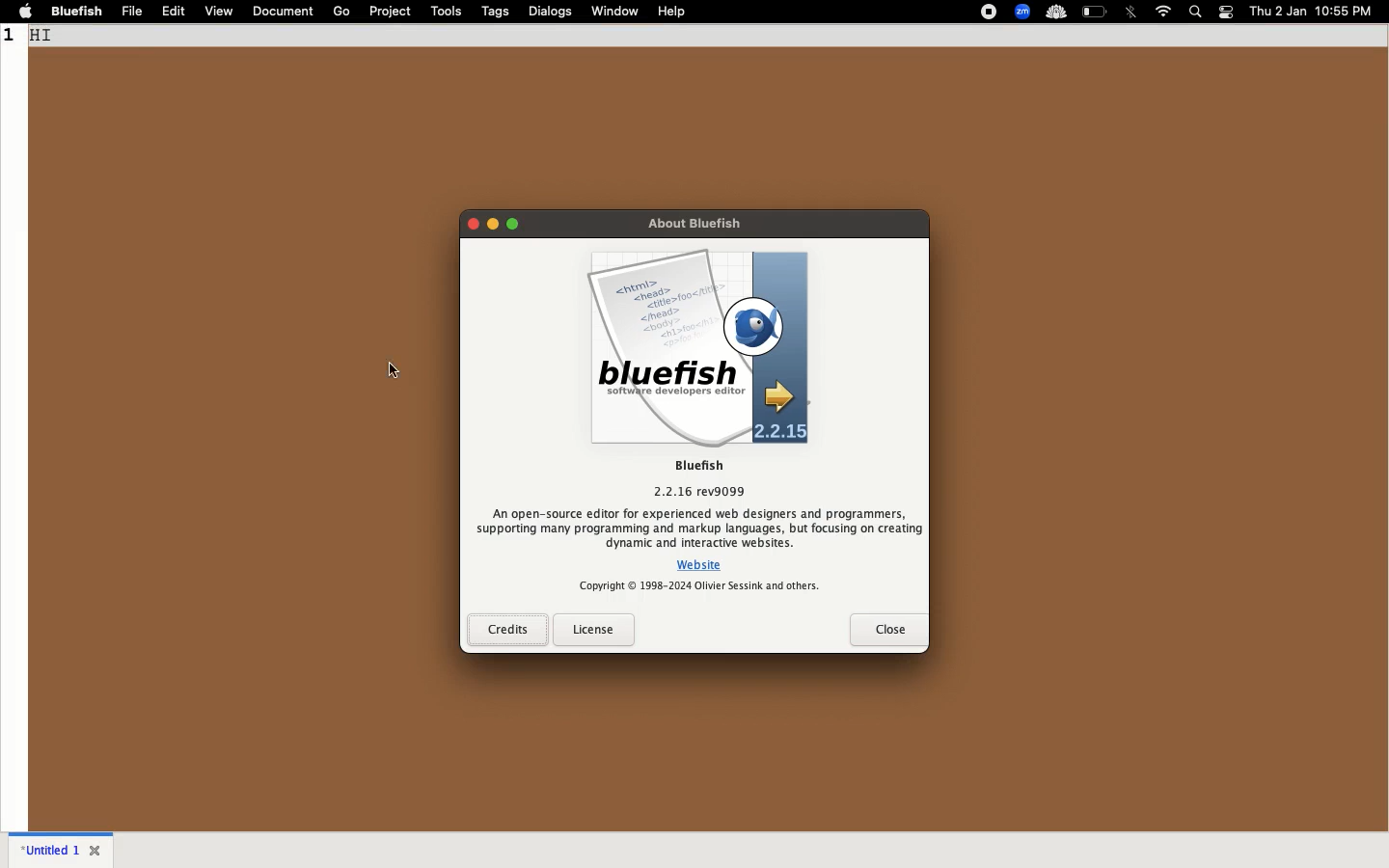 The width and height of the screenshot is (1389, 868). What do you see at coordinates (26, 11) in the screenshot?
I see `apple` at bounding box center [26, 11].